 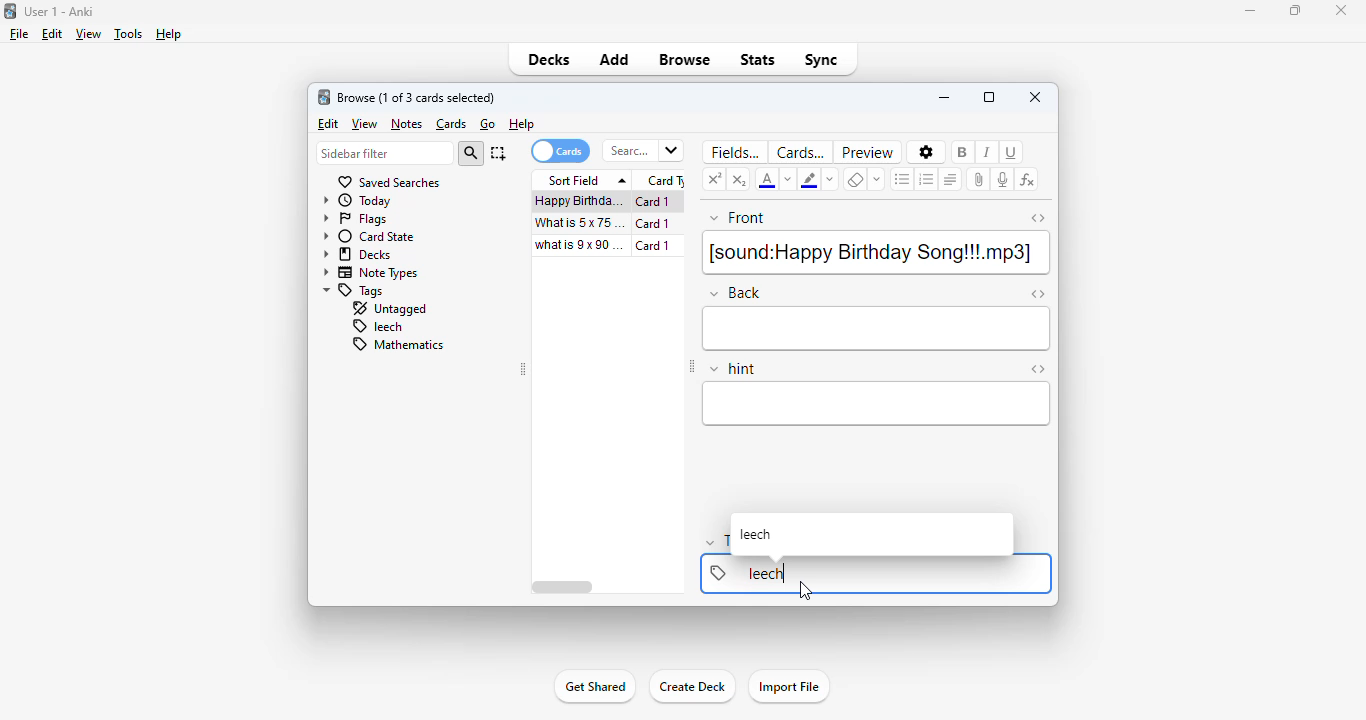 I want to click on edit, so click(x=328, y=125).